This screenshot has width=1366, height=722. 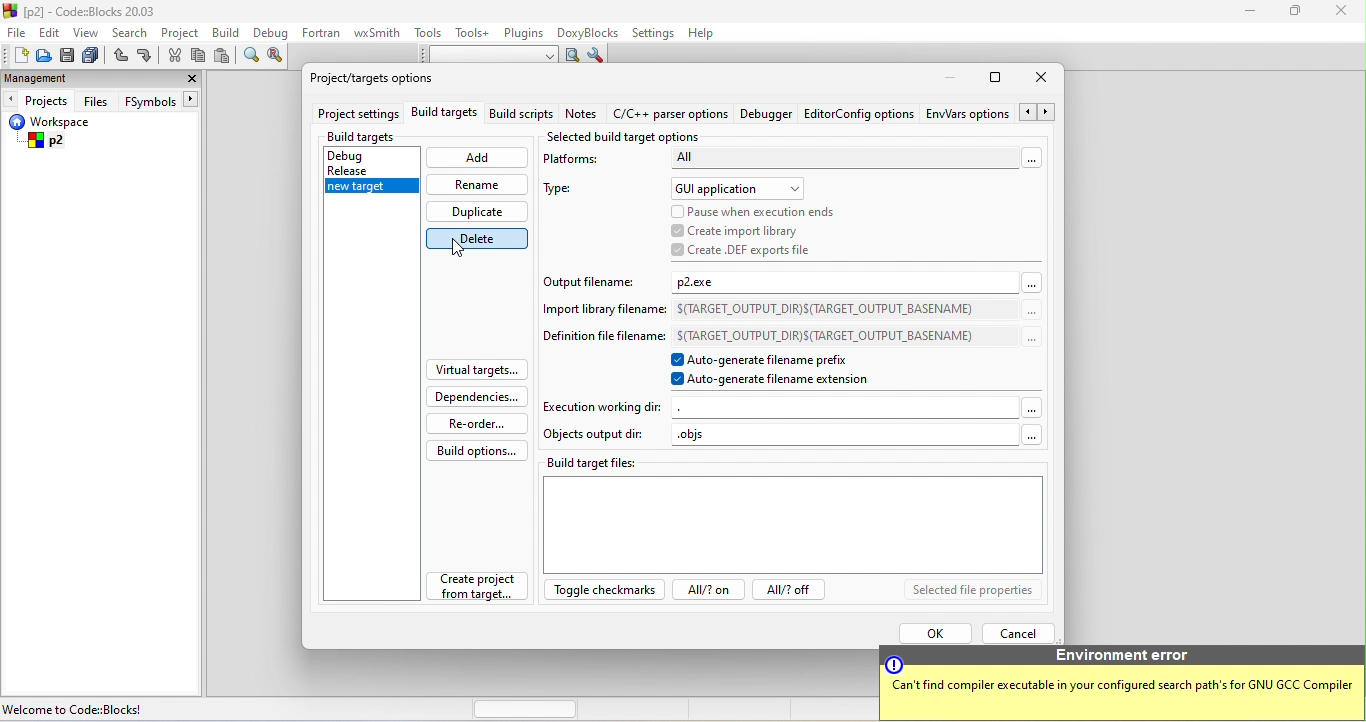 I want to click on platforms, so click(x=584, y=162).